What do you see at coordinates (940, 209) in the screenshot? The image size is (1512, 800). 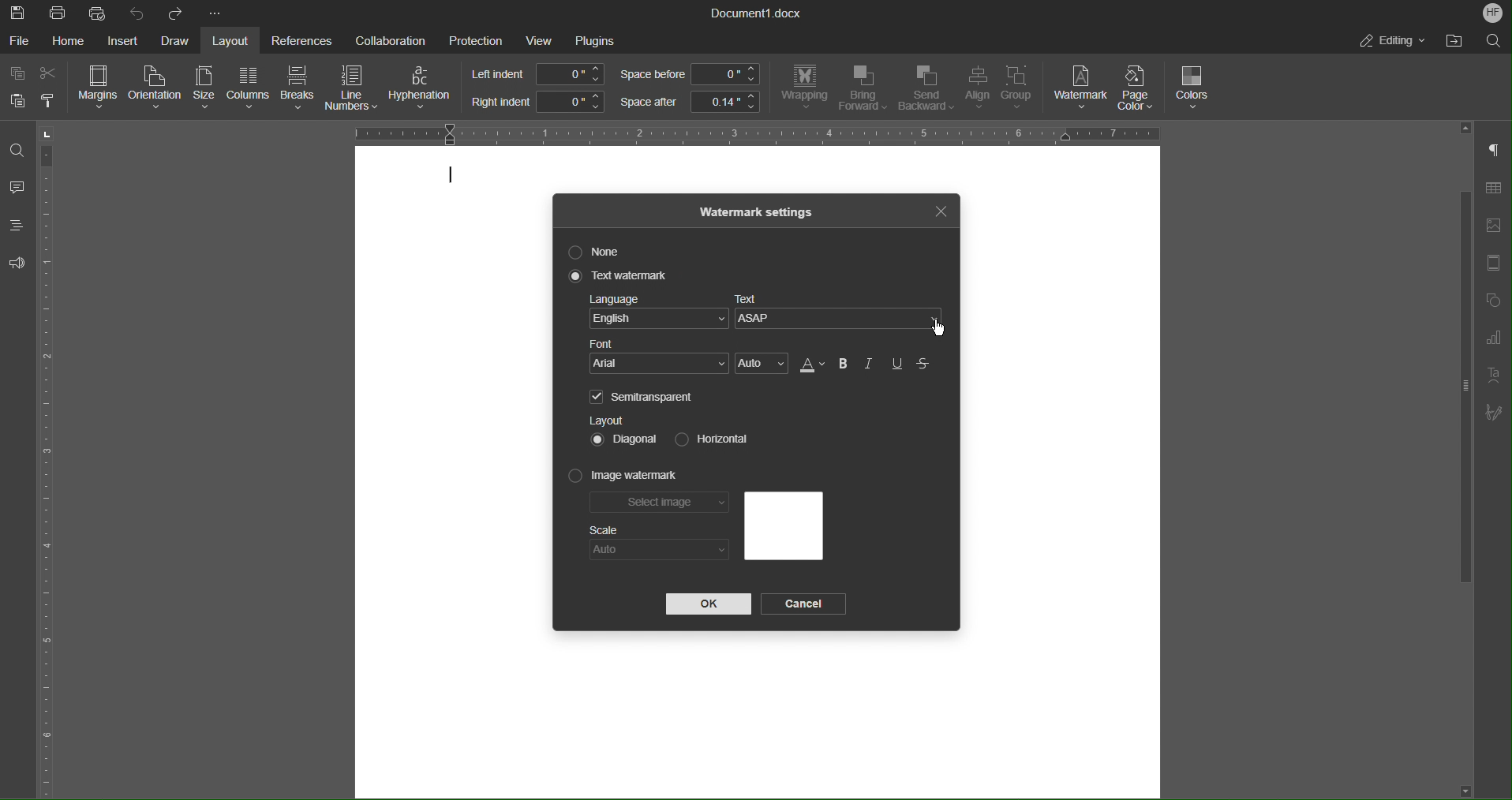 I see `Close` at bounding box center [940, 209].